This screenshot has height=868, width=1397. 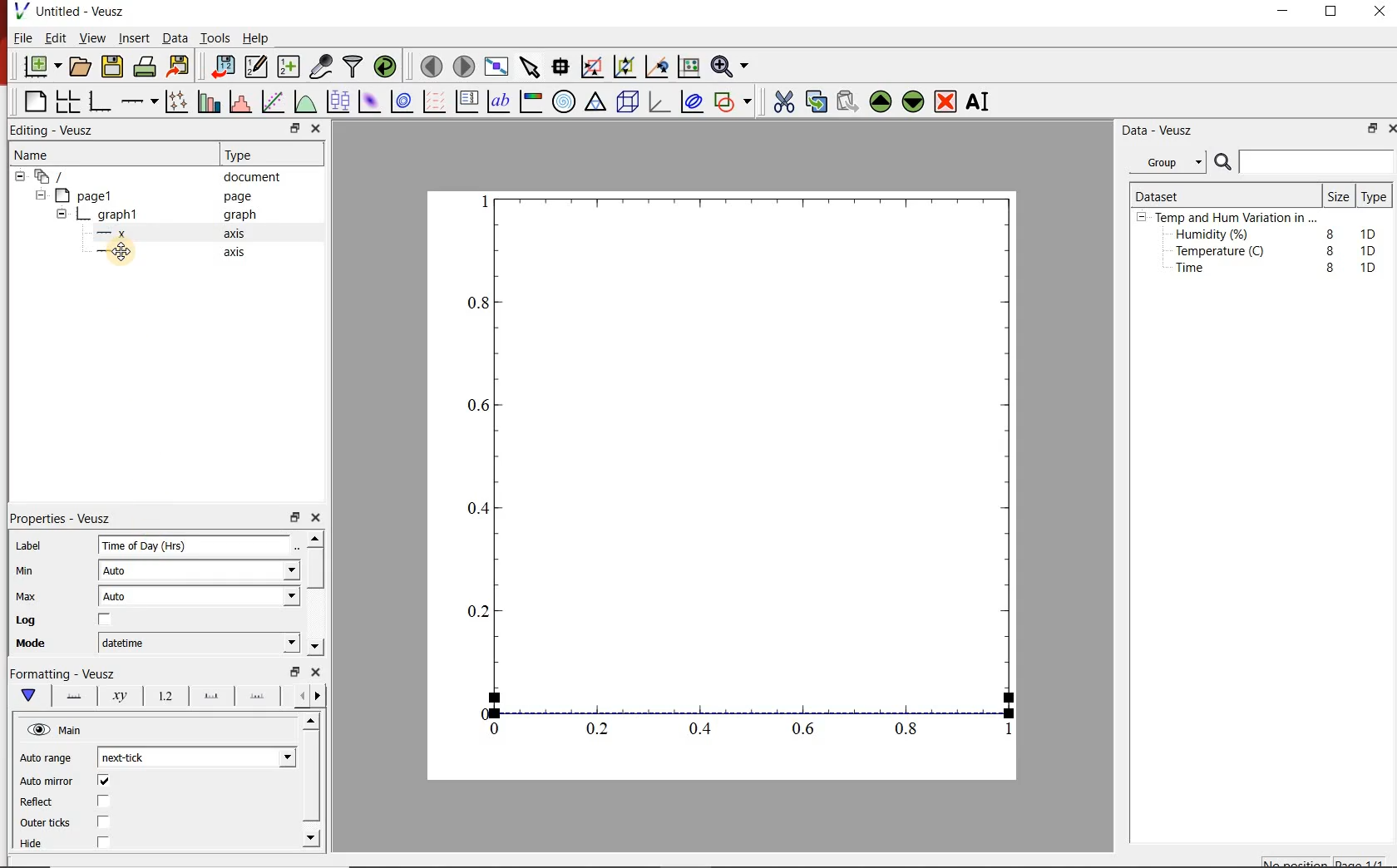 I want to click on move to the previous page, so click(x=430, y=67).